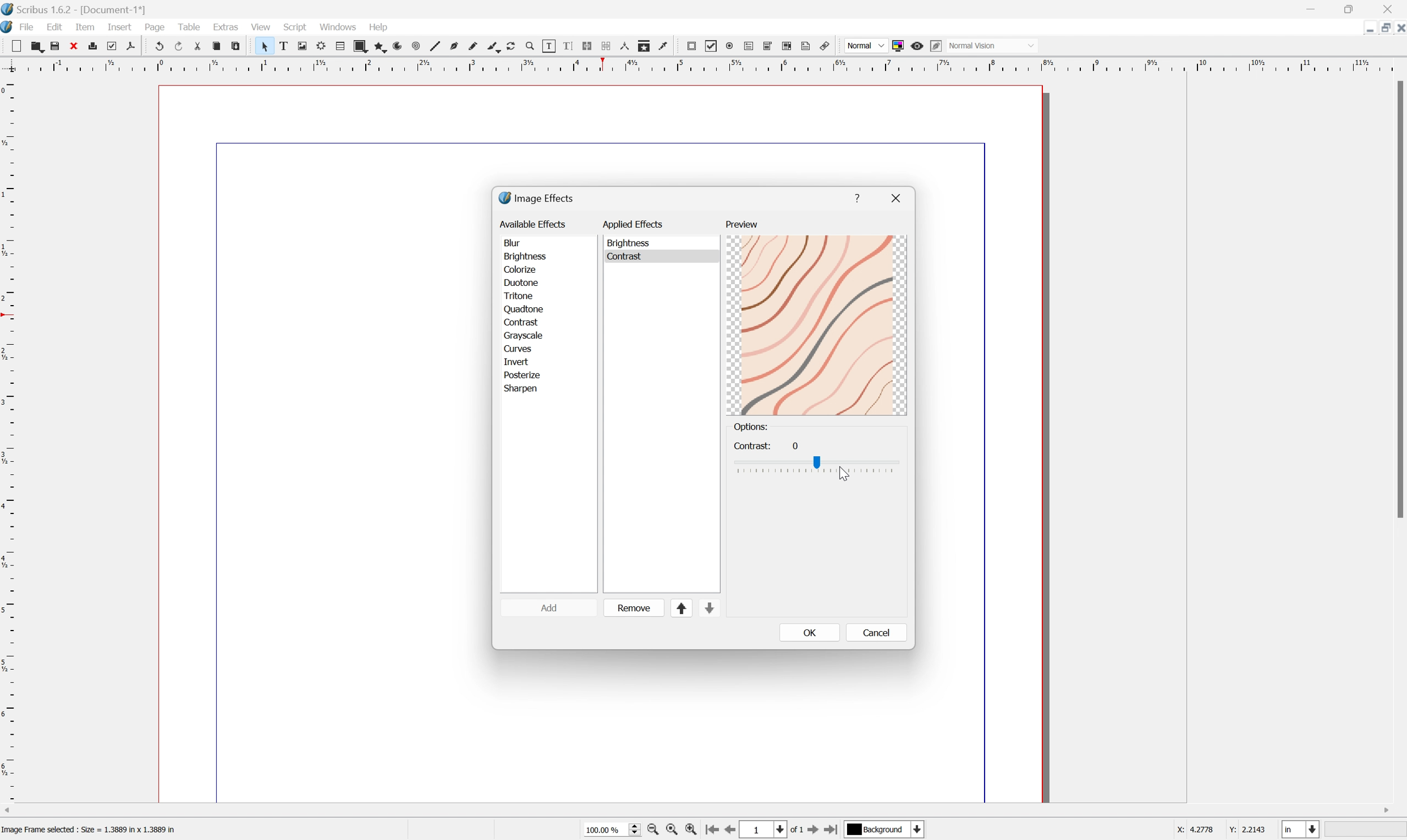 The width and height of the screenshot is (1407, 840). Describe the element at coordinates (610, 830) in the screenshot. I see `Zoom 100%` at that location.